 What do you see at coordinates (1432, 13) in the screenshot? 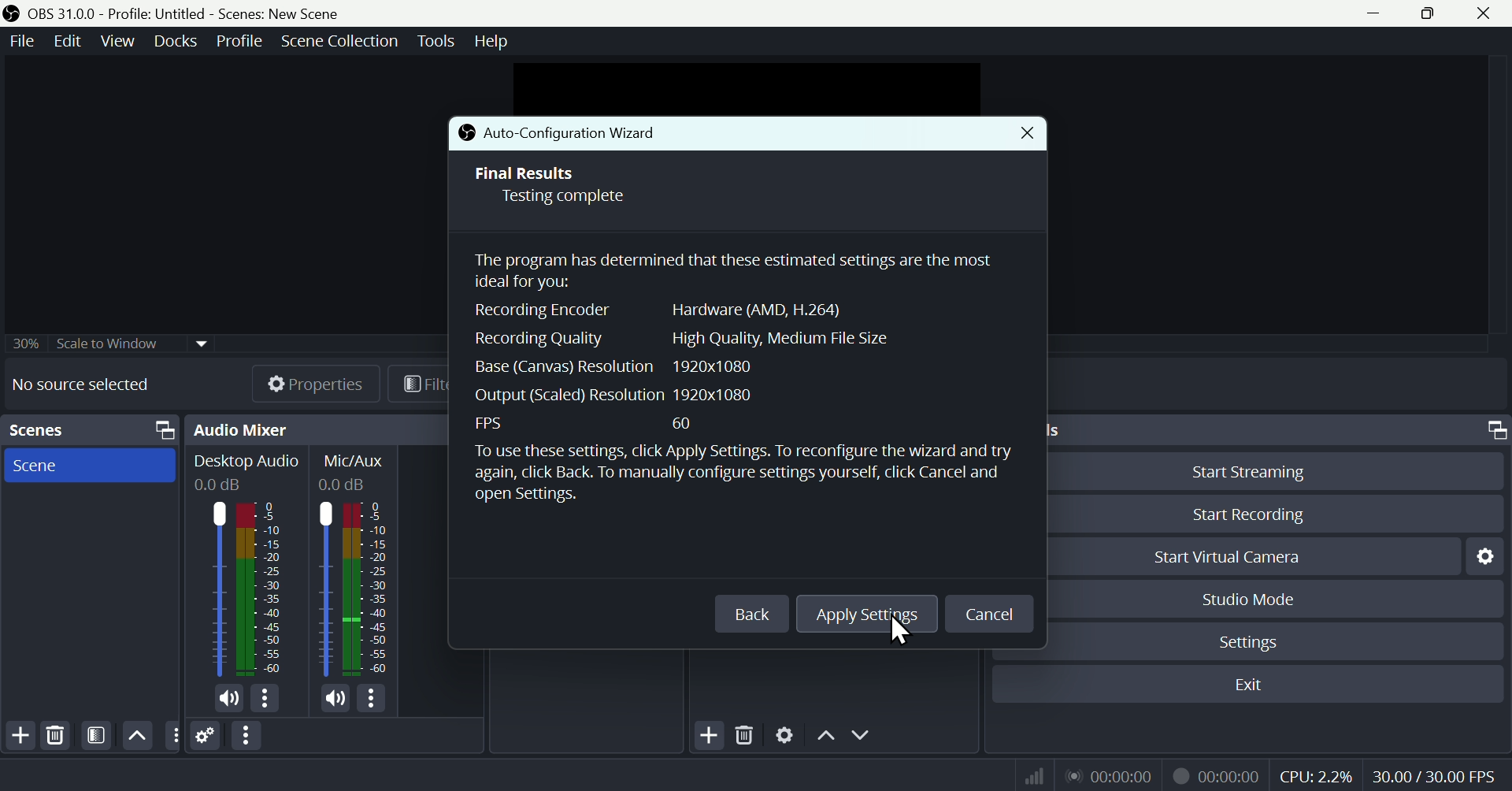
I see `Maximise` at bounding box center [1432, 13].